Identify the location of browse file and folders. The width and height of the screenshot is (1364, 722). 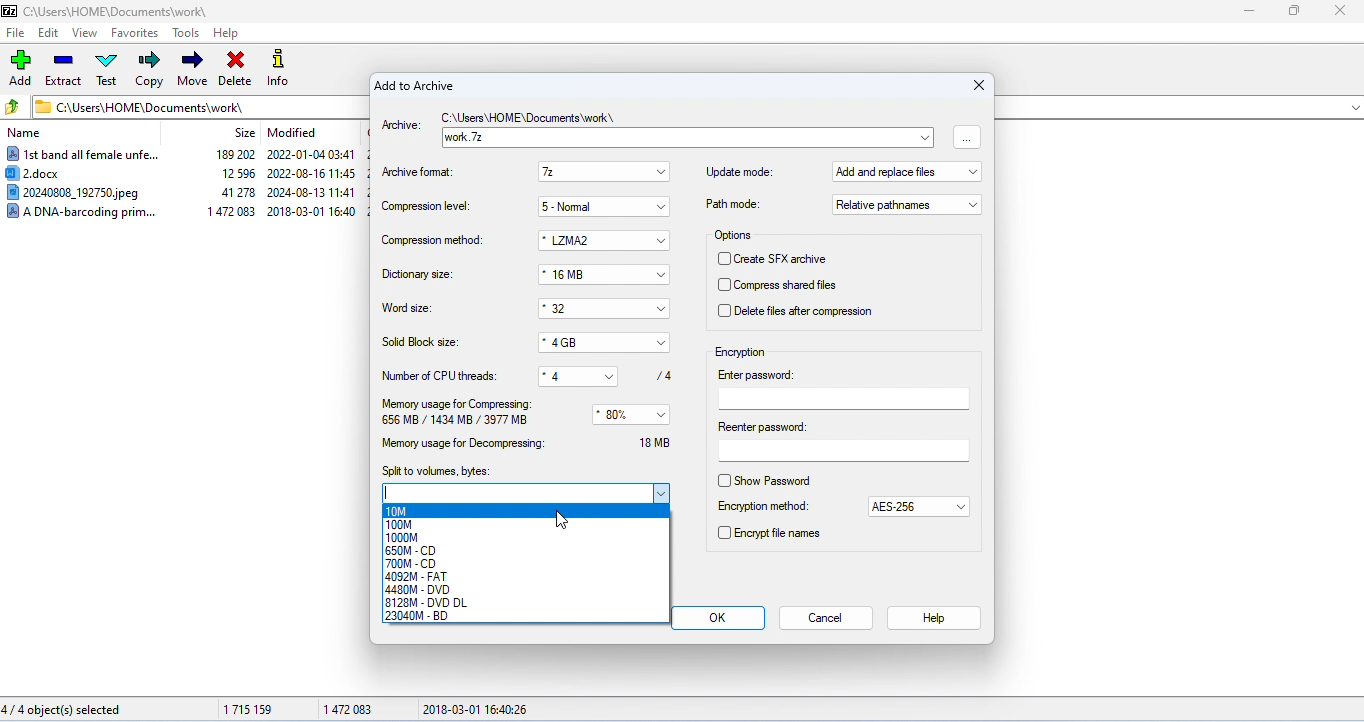
(968, 136).